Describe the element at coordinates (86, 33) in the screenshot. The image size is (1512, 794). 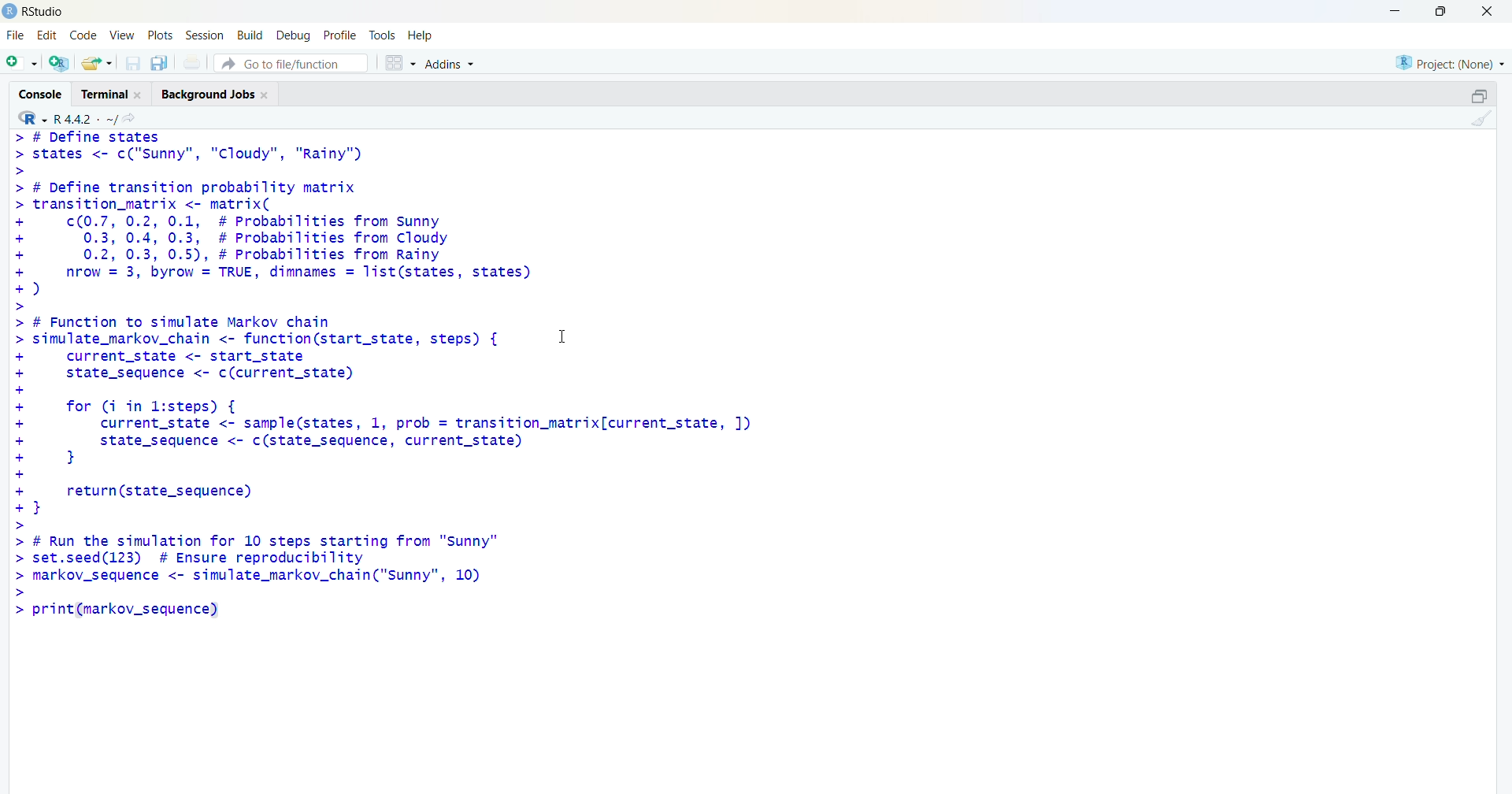
I see `code` at that location.